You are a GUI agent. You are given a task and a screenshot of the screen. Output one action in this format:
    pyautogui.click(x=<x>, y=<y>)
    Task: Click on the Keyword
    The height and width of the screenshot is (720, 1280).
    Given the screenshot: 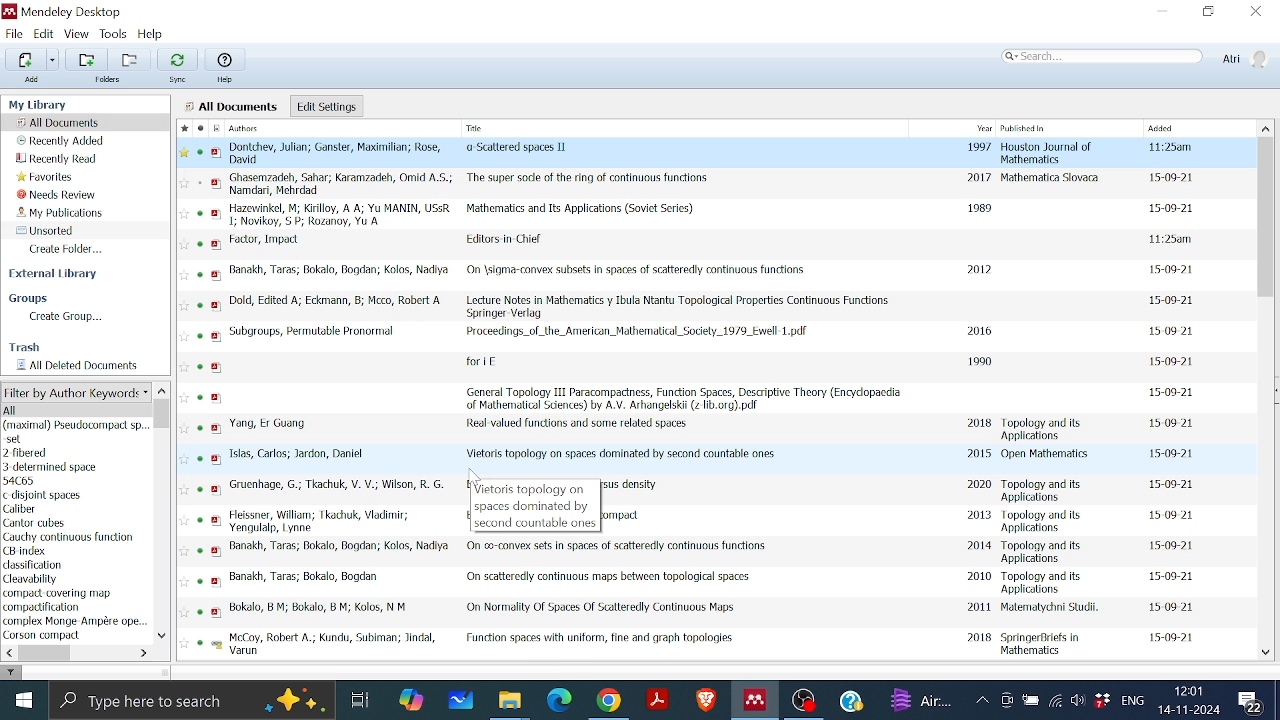 What is the action you would take?
    pyautogui.click(x=44, y=494)
    